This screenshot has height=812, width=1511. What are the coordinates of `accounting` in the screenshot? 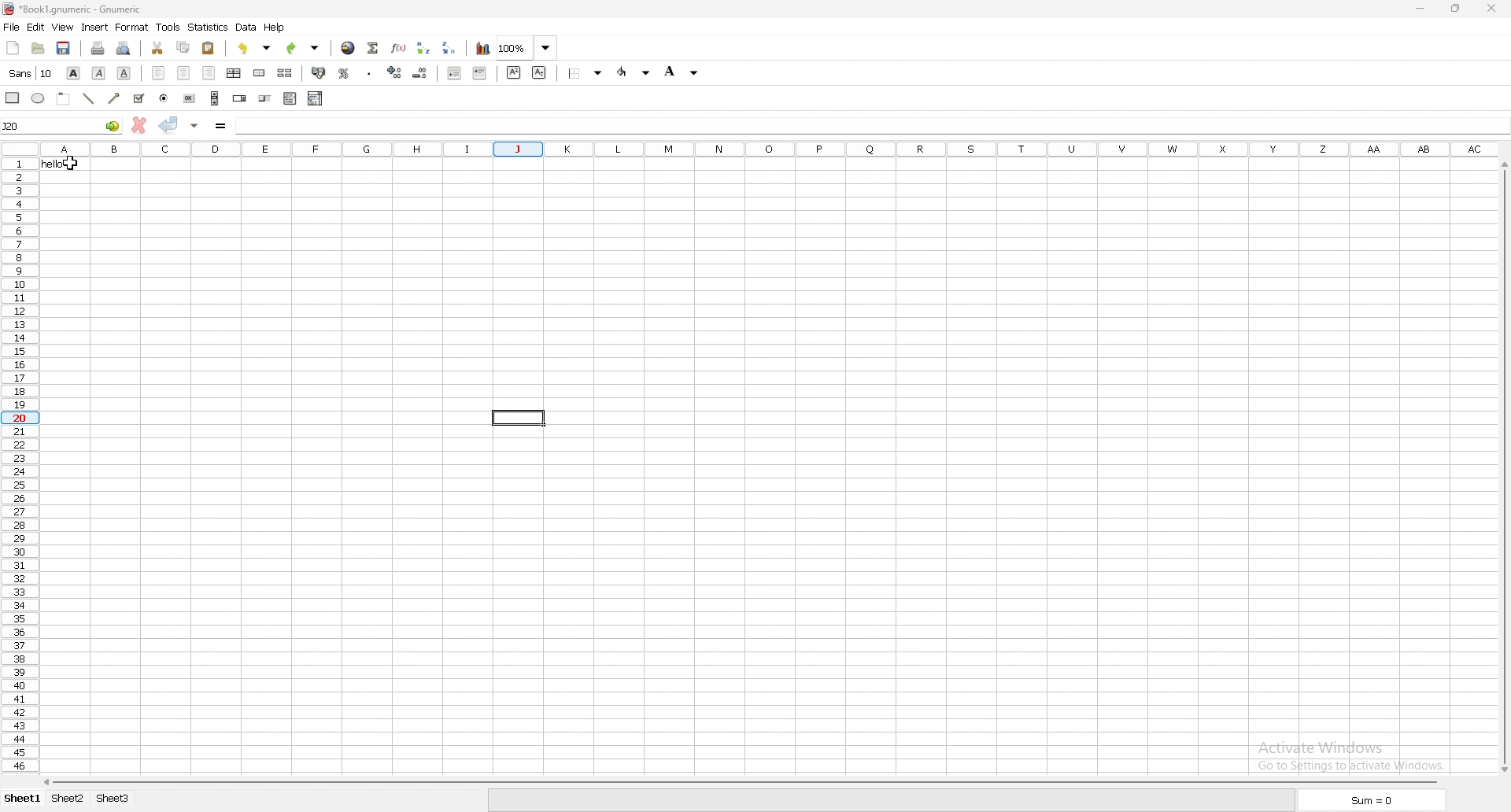 It's located at (320, 72).